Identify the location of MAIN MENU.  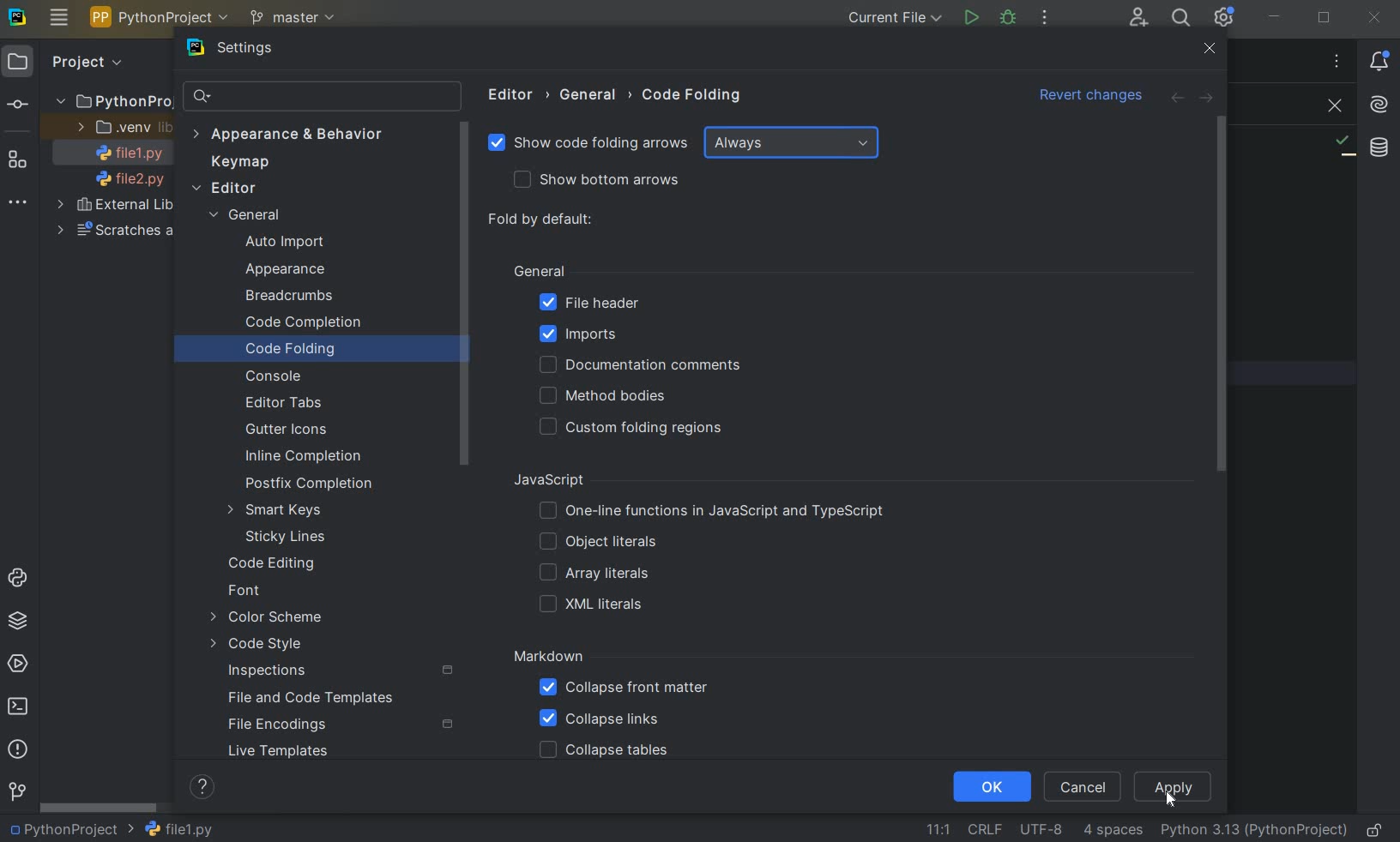
(59, 18).